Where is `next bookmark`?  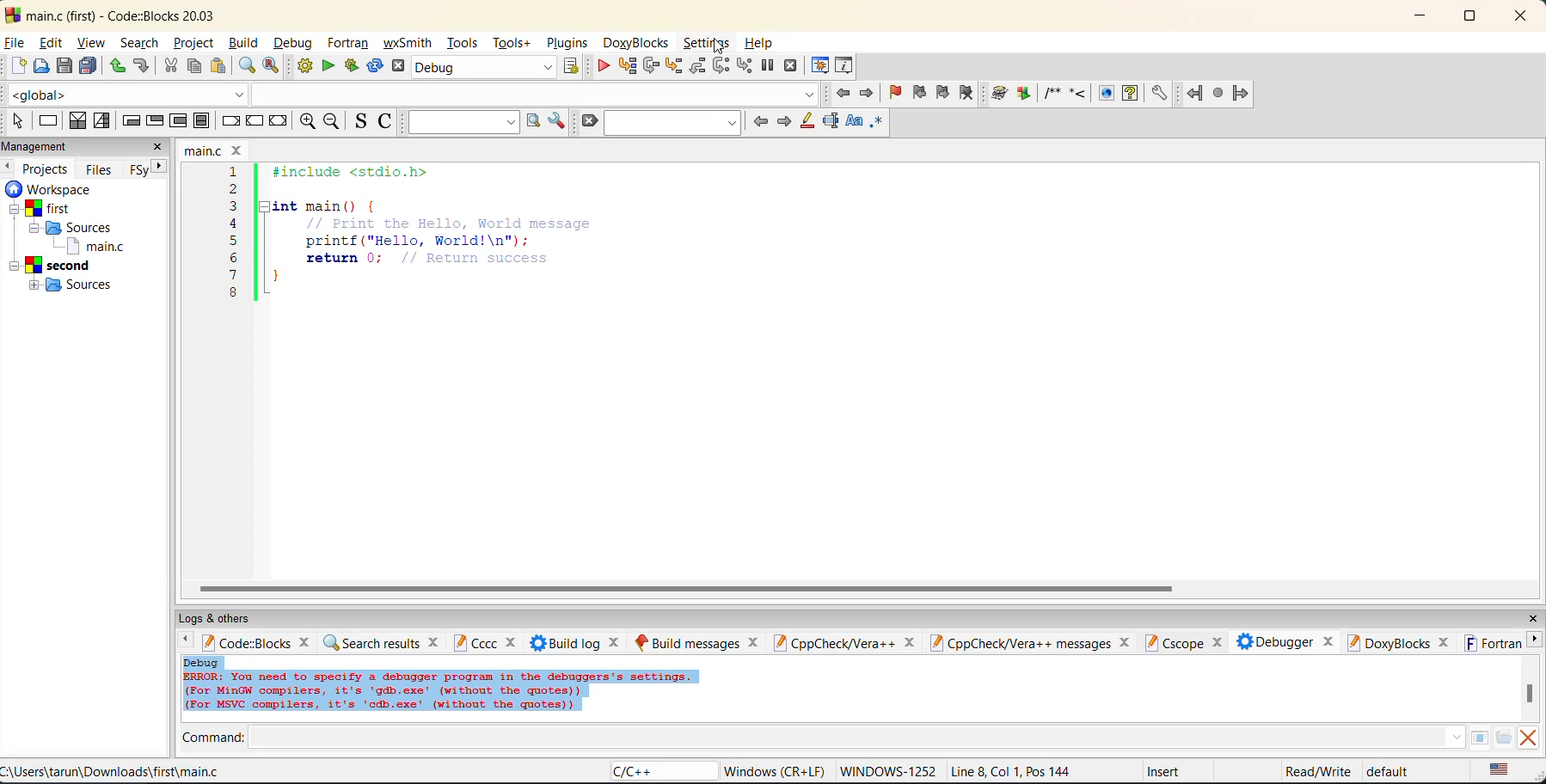
next bookmark is located at coordinates (942, 95).